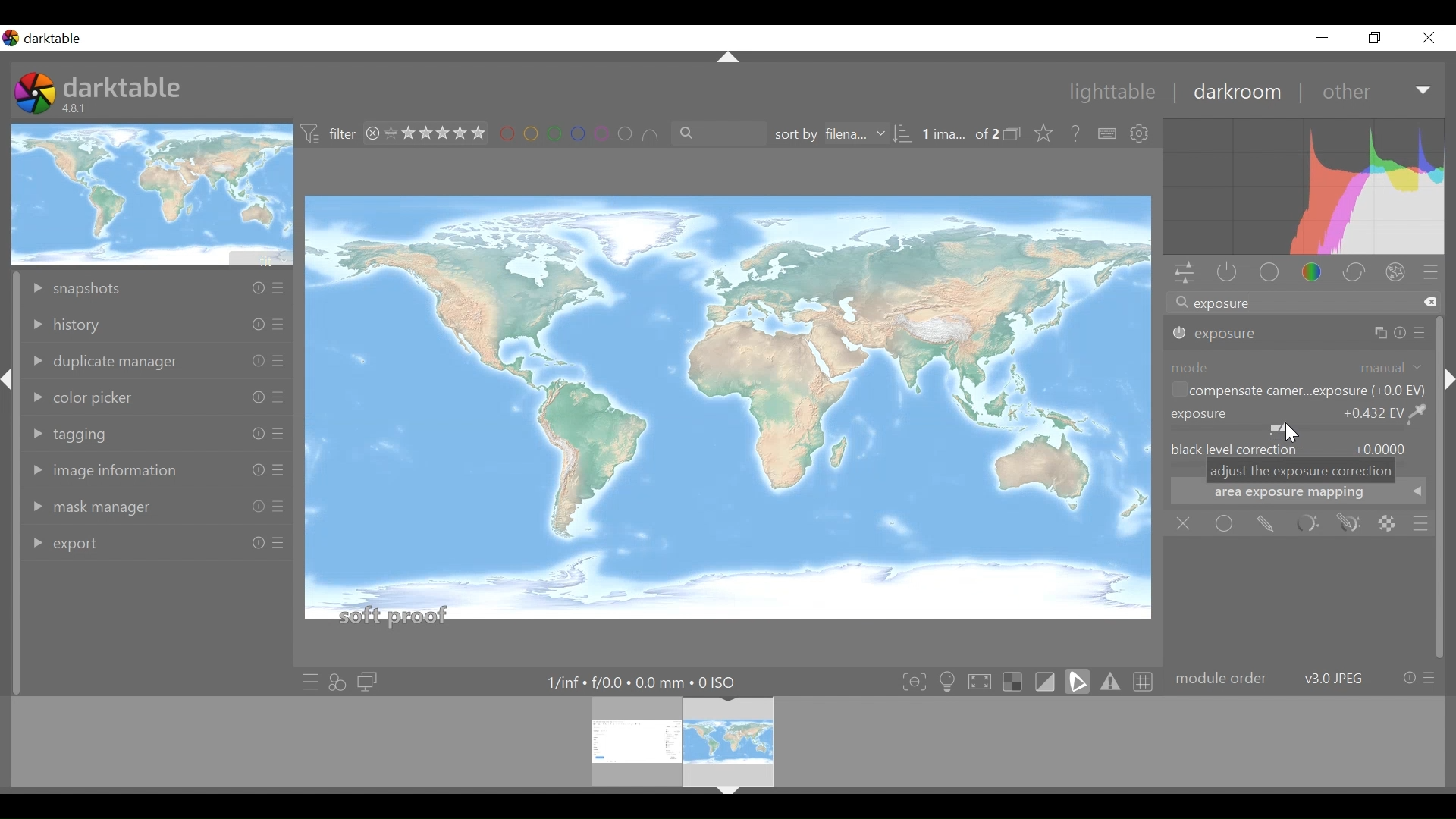 The image size is (1456, 819). I want to click on Other, so click(1377, 91).